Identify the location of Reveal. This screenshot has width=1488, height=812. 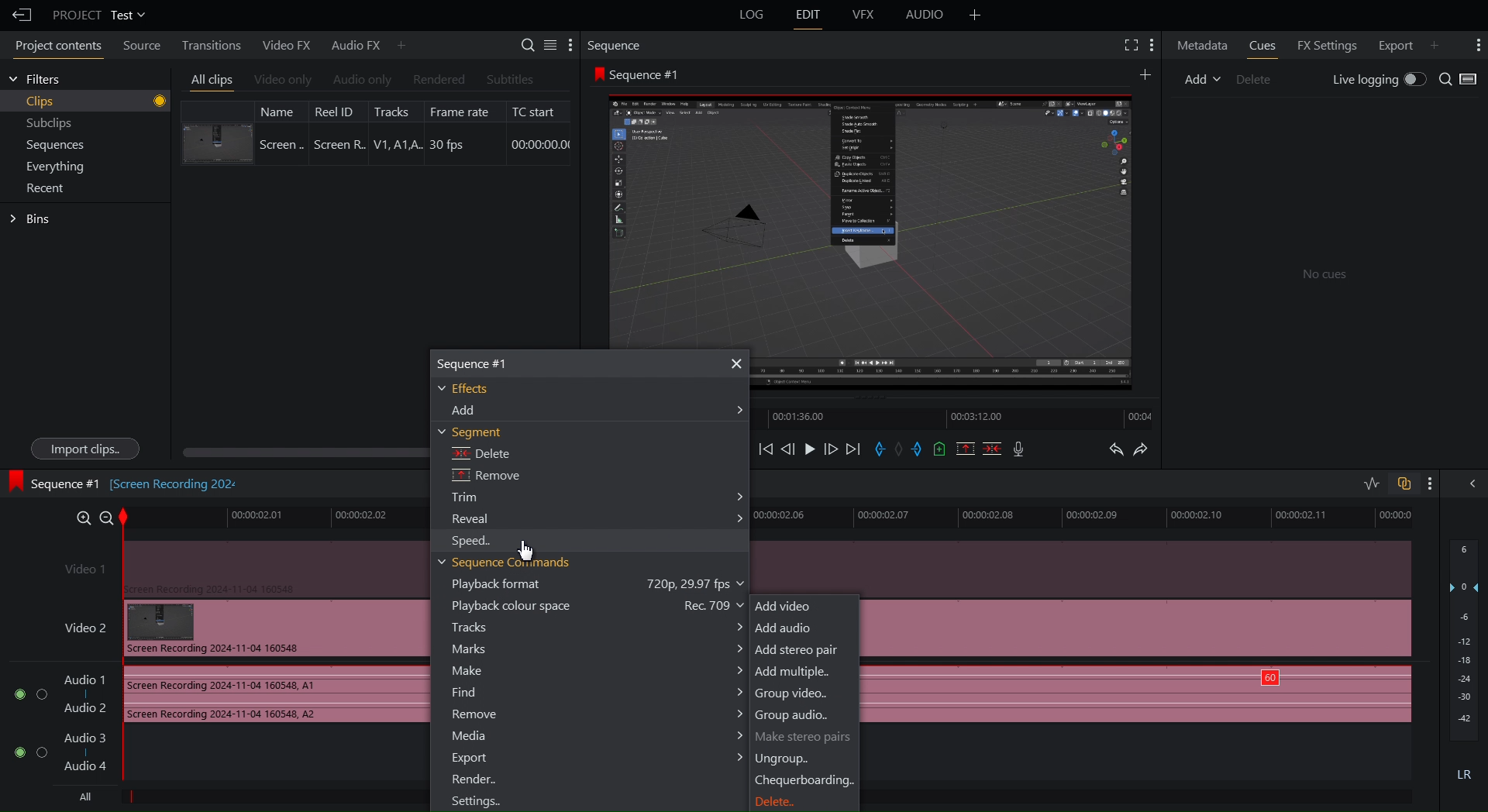
(599, 518).